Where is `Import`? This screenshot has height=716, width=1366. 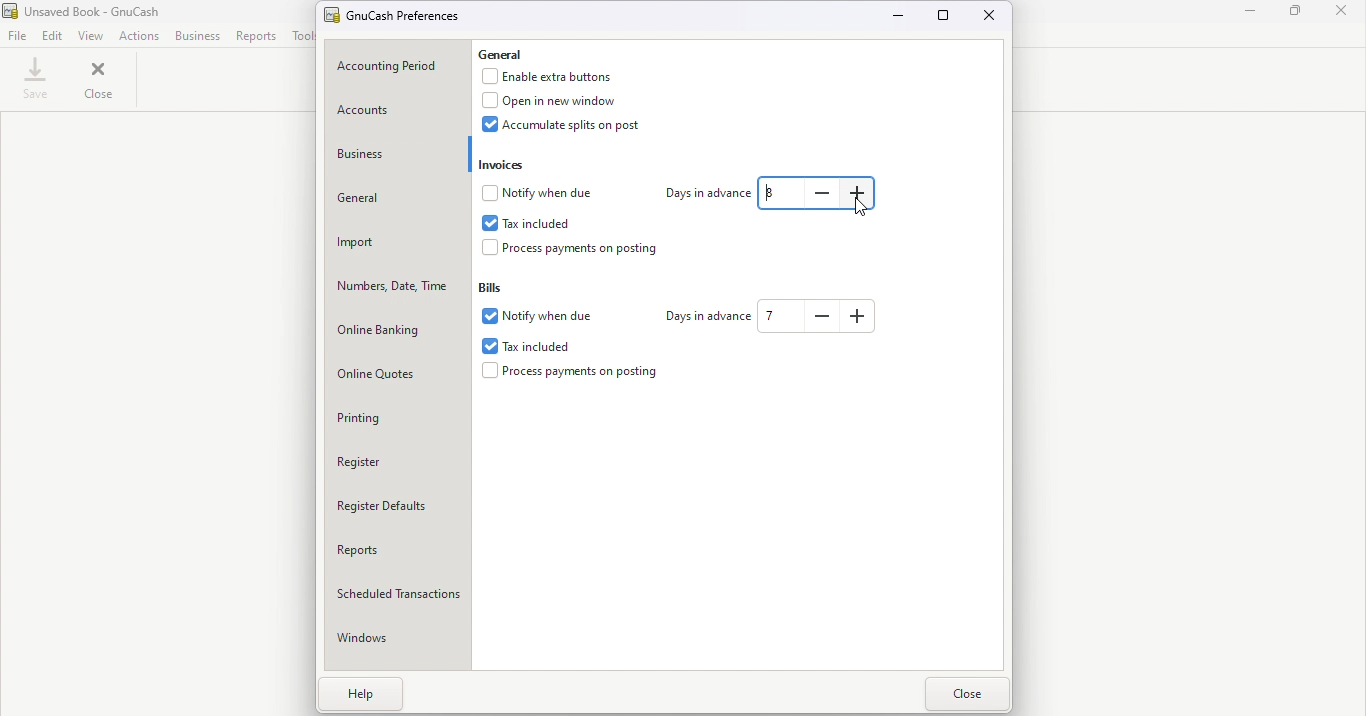 Import is located at coordinates (396, 244).